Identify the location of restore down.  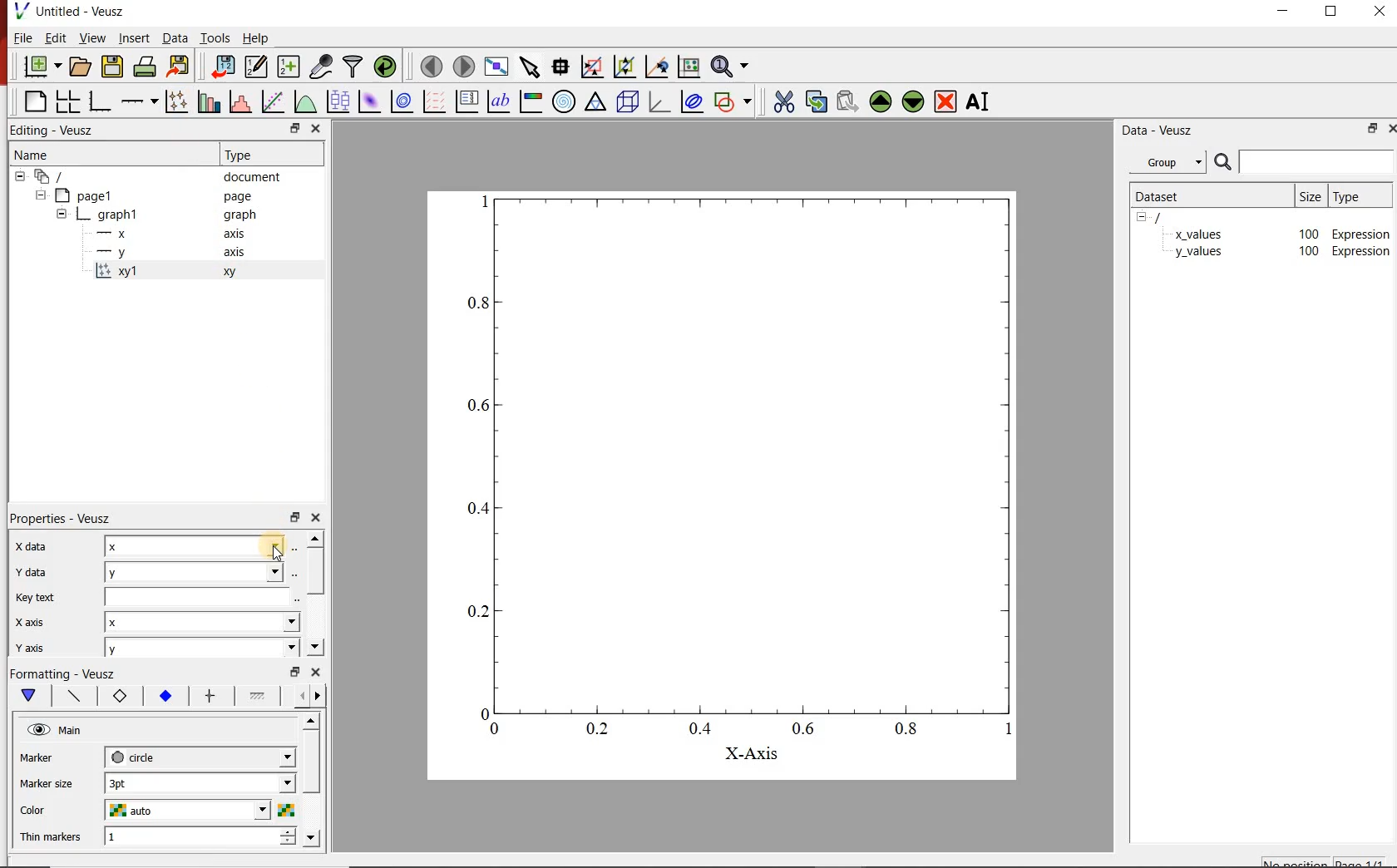
(295, 517).